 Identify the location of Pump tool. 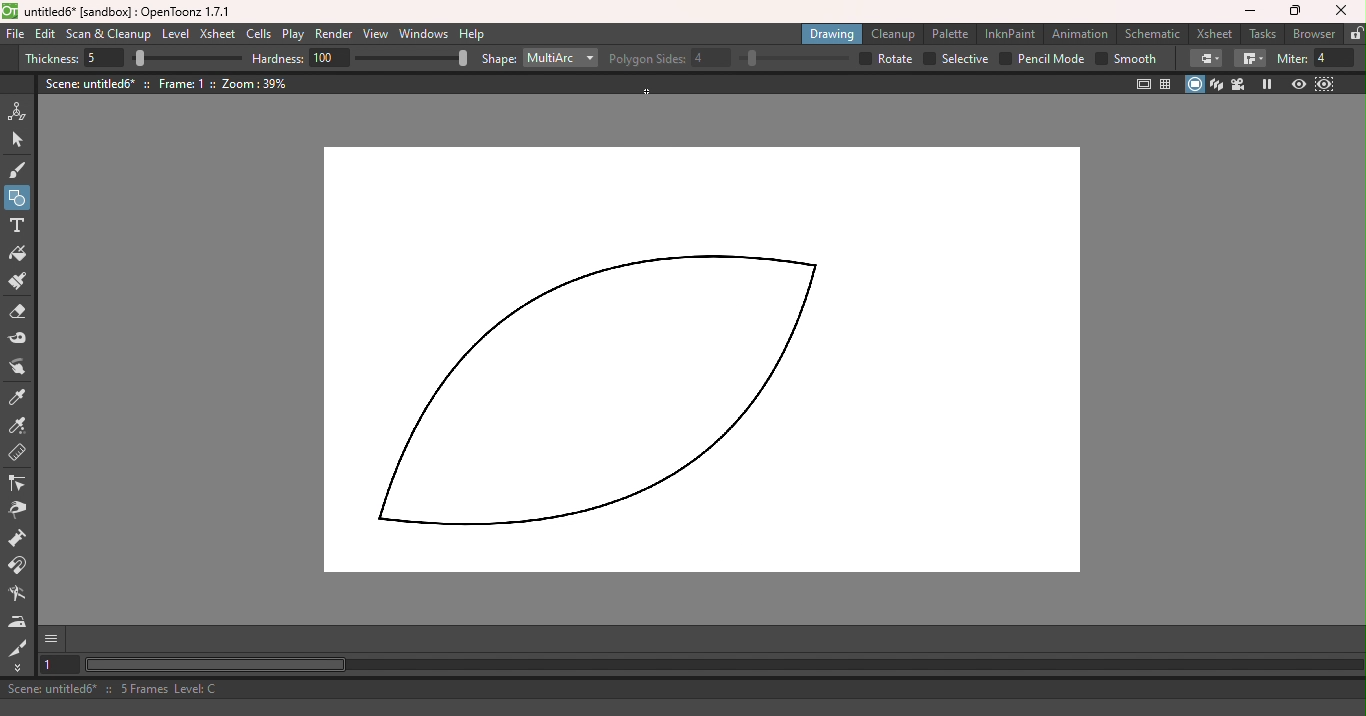
(20, 539).